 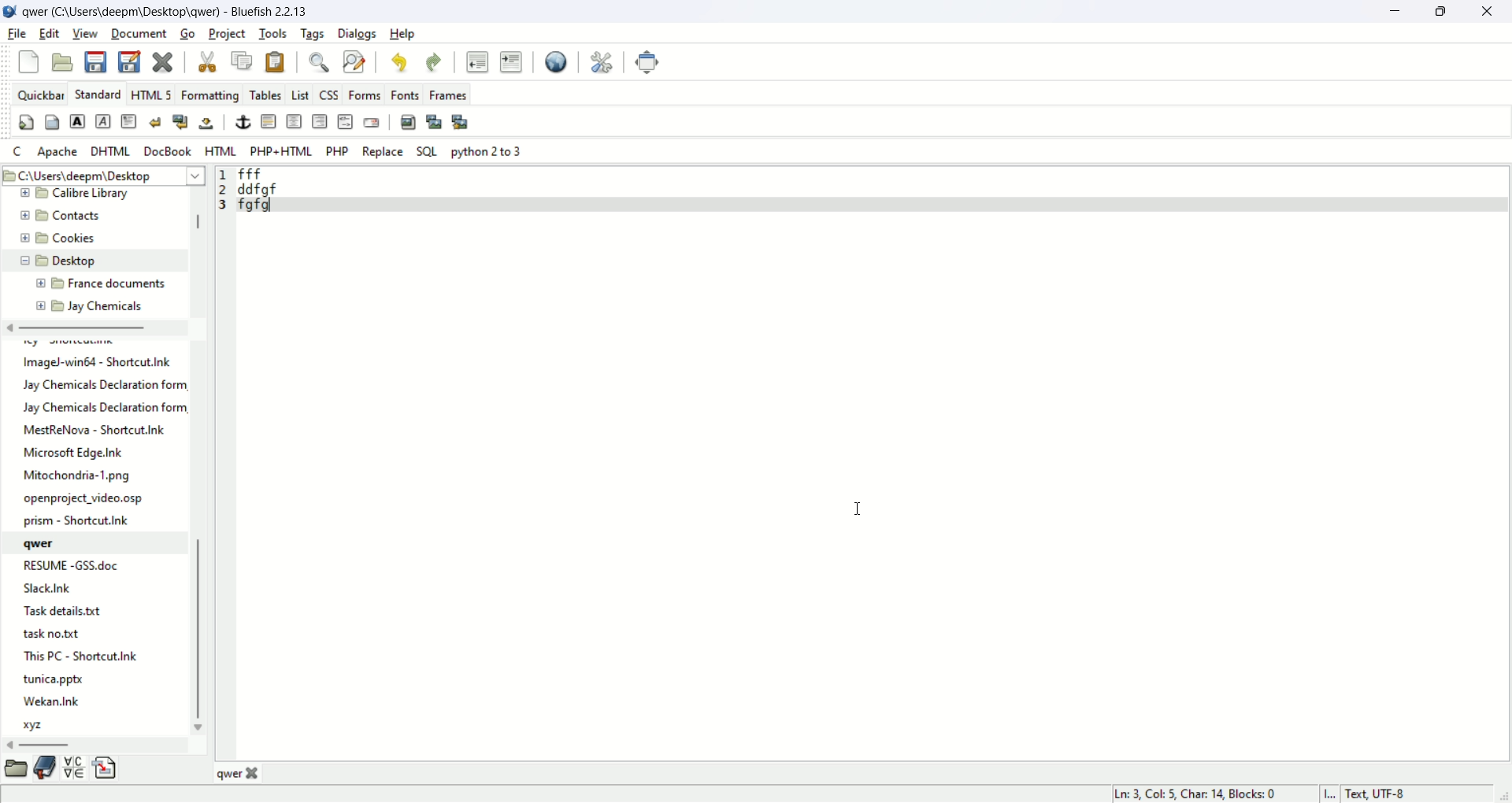 What do you see at coordinates (17, 34) in the screenshot?
I see `file` at bounding box center [17, 34].